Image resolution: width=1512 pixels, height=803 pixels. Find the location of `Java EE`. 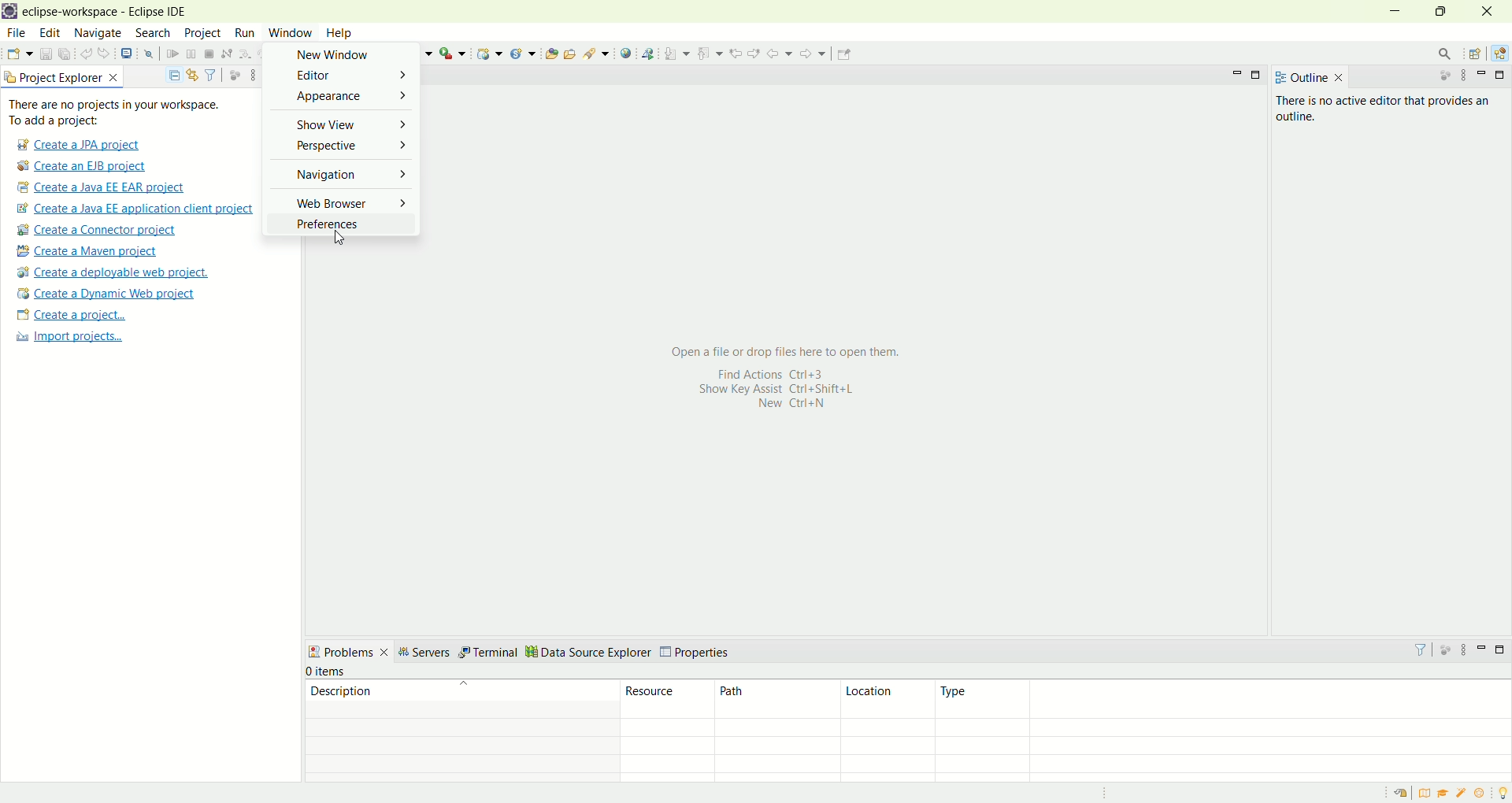

Java EE is located at coordinates (1503, 54).